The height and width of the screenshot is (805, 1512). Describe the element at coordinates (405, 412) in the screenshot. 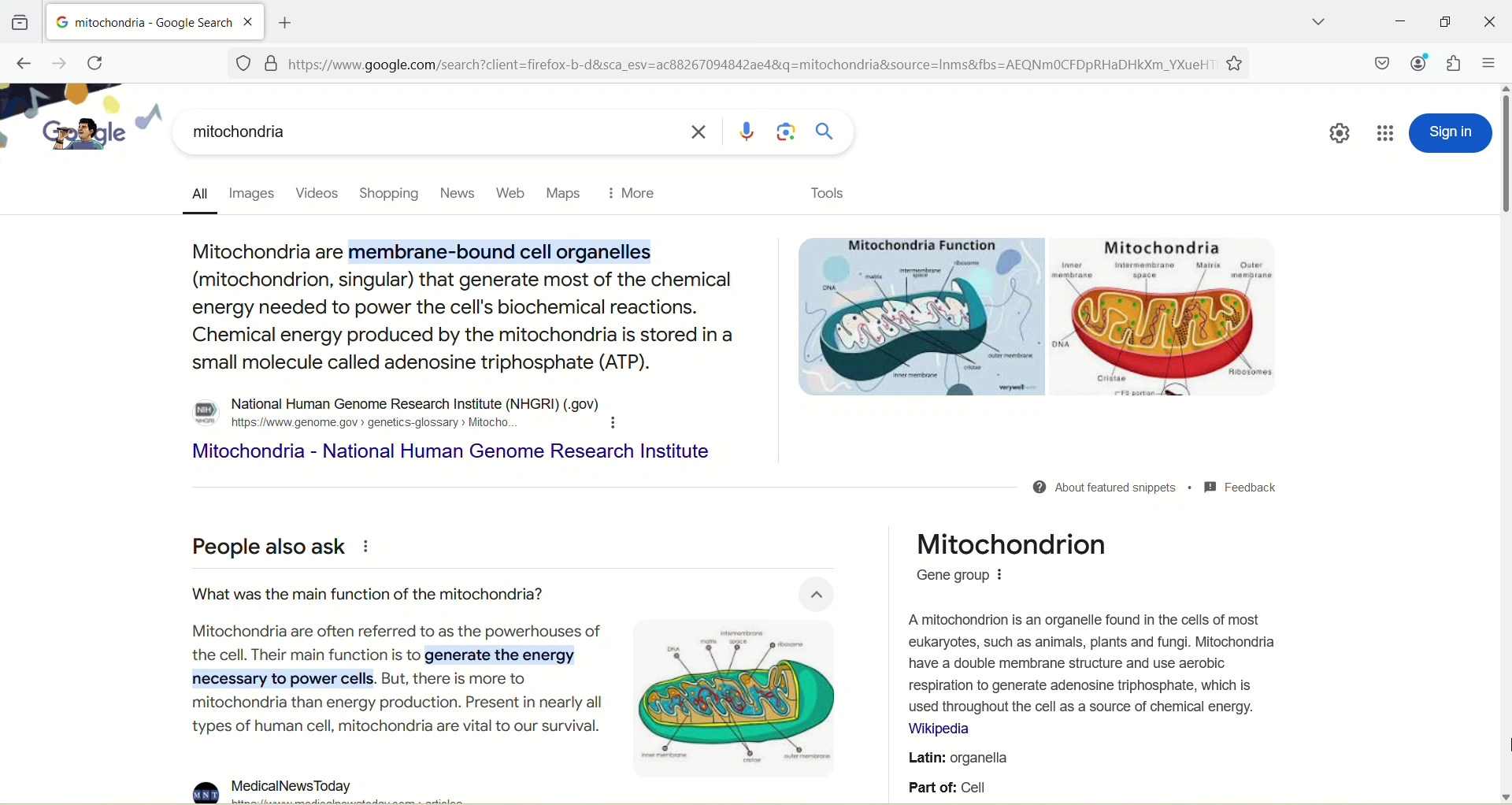

I see `o National Human Genome Research Institute (NHGRI) (.gov)
# hitps://www.genome. gov > genetics-glossary > Mitocho. H` at that location.